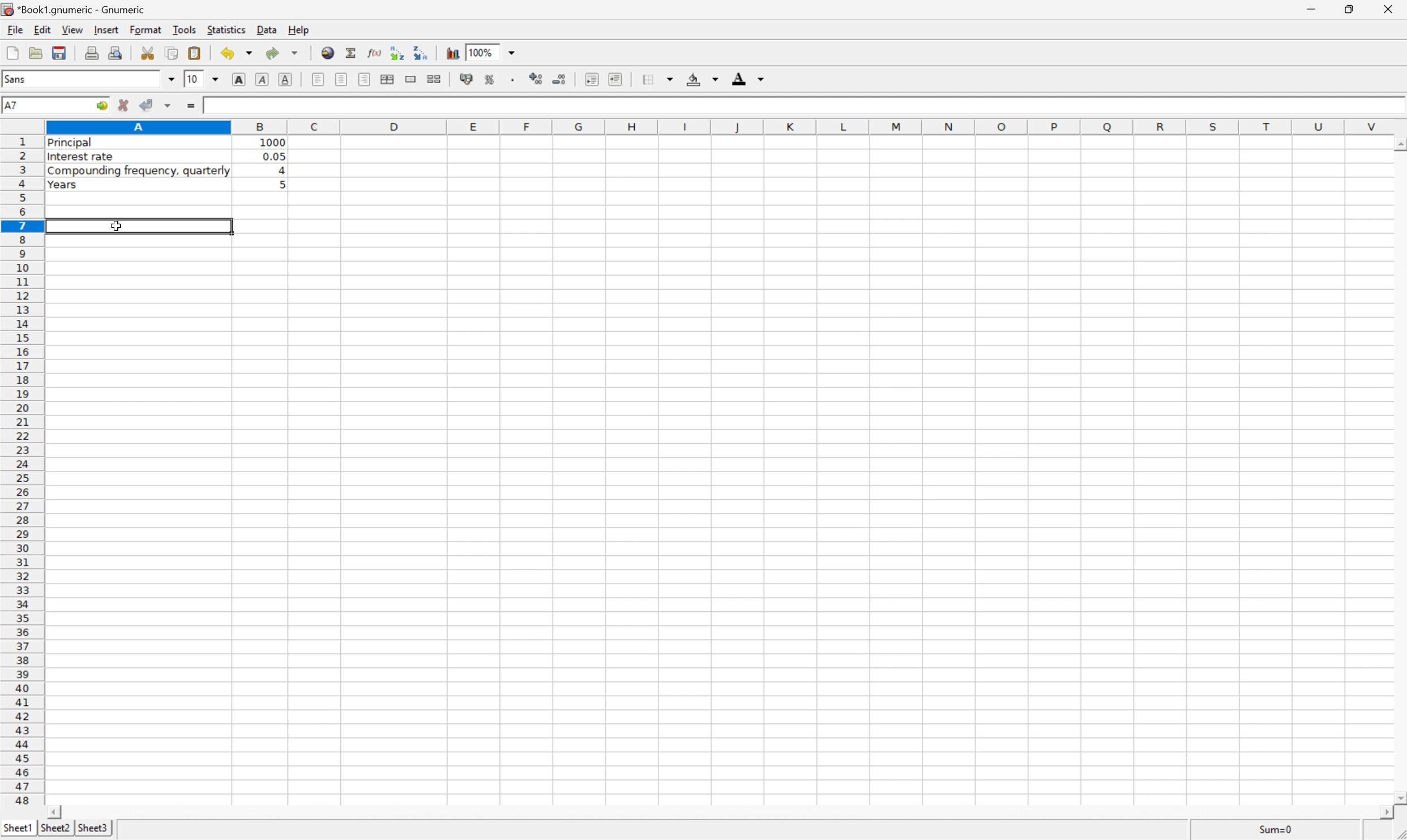 The image size is (1407, 840). Describe the element at coordinates (283, 169) in the screenshot. I see `4` at that location.